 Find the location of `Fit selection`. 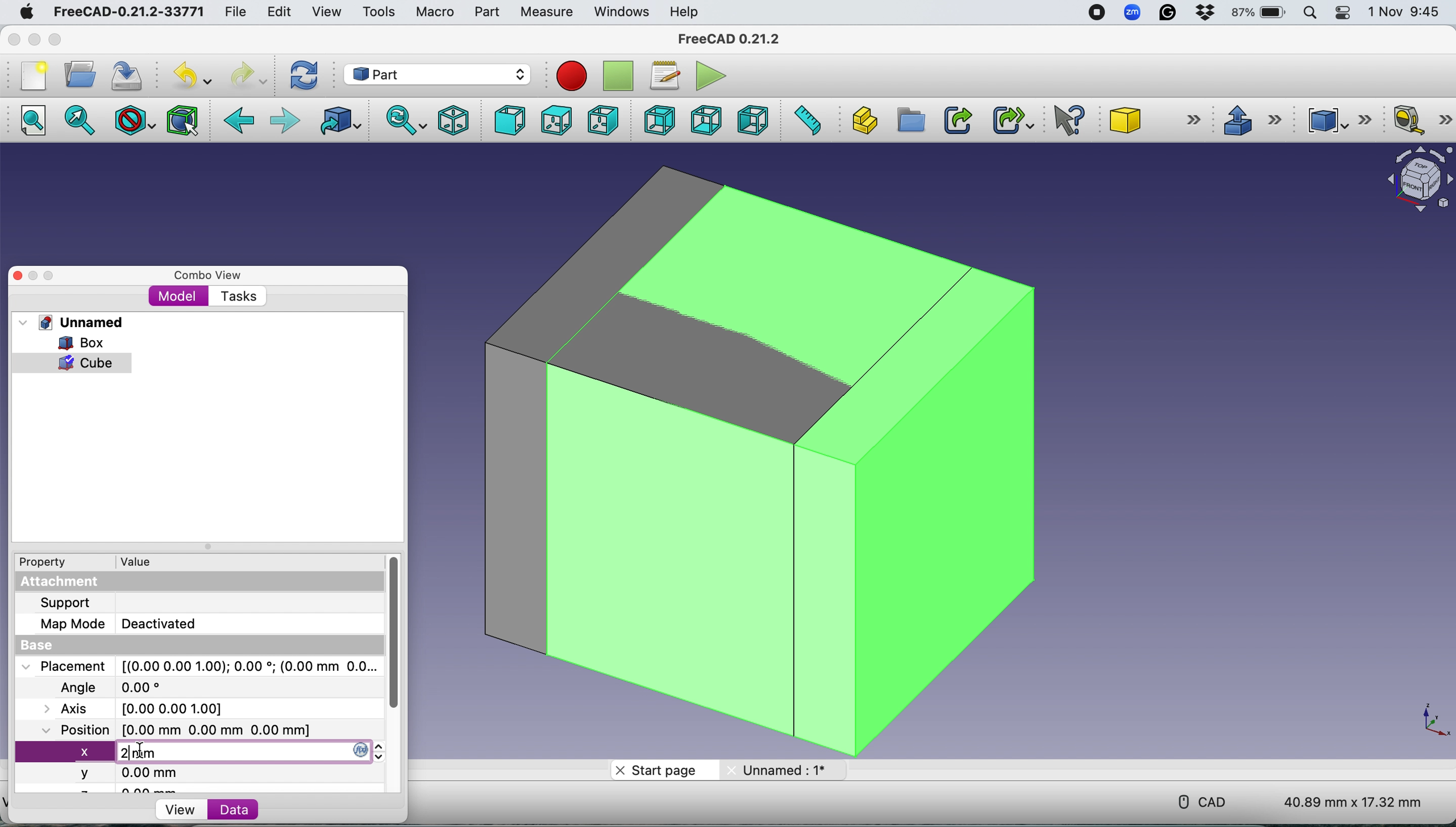

Fit selection is located at coordinates (81, 122).